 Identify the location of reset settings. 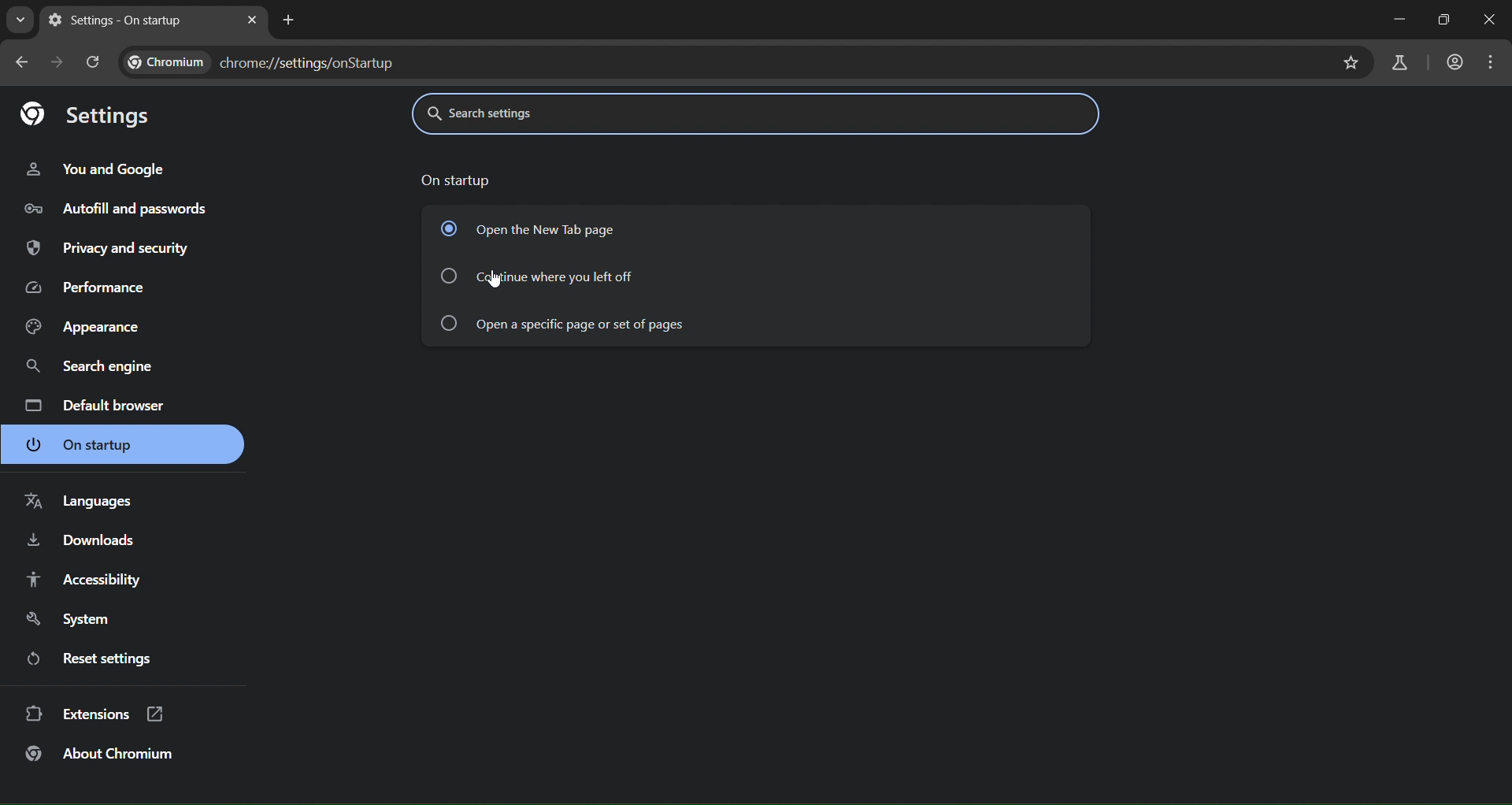
(90, 661).